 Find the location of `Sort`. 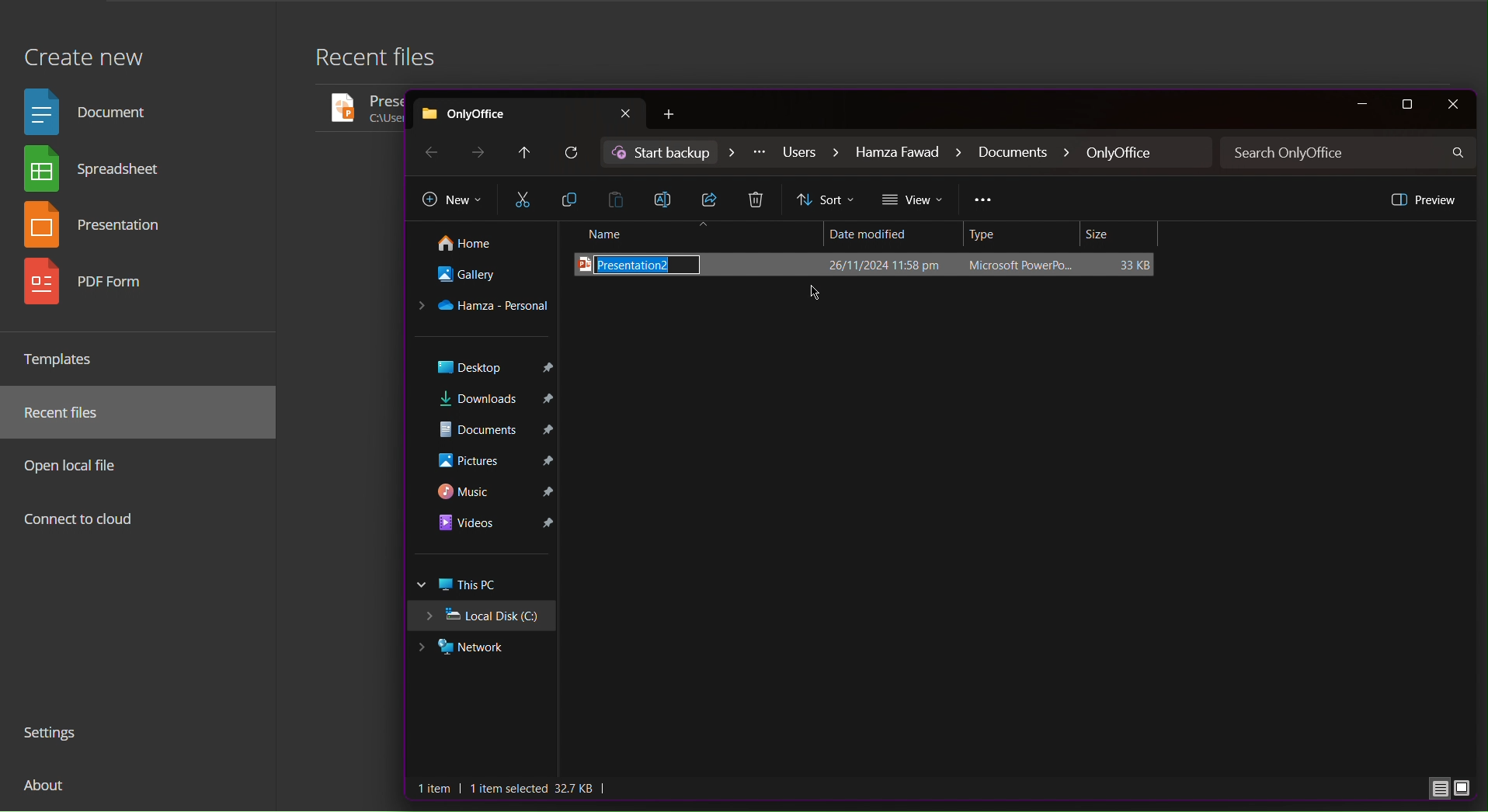

Sort is located at coordinates (827, 200).